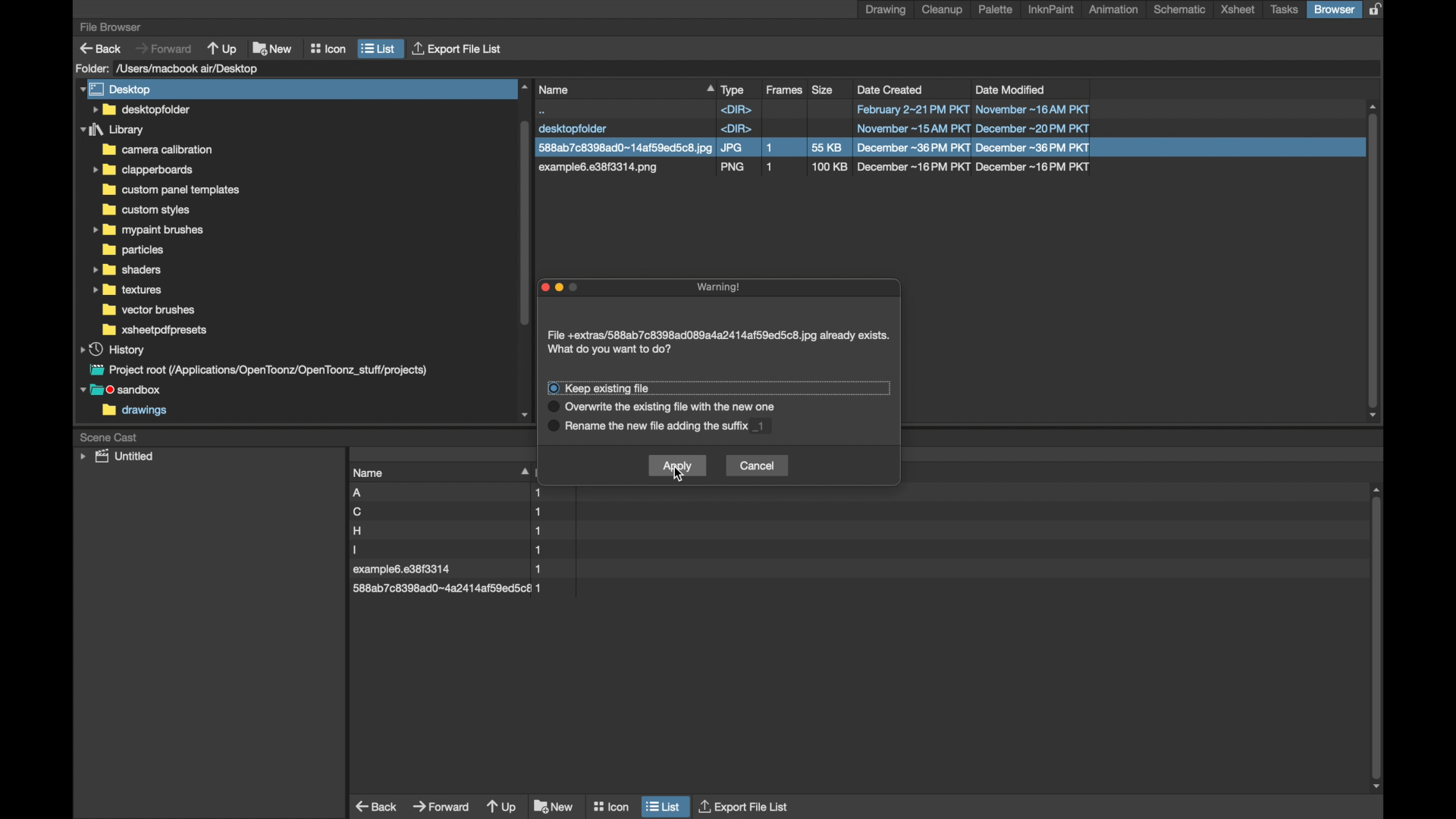 This screenshot has height=819, width=1456. Describe the element at coordinates (623, 388) in the screenshot. I see `description` at that location.